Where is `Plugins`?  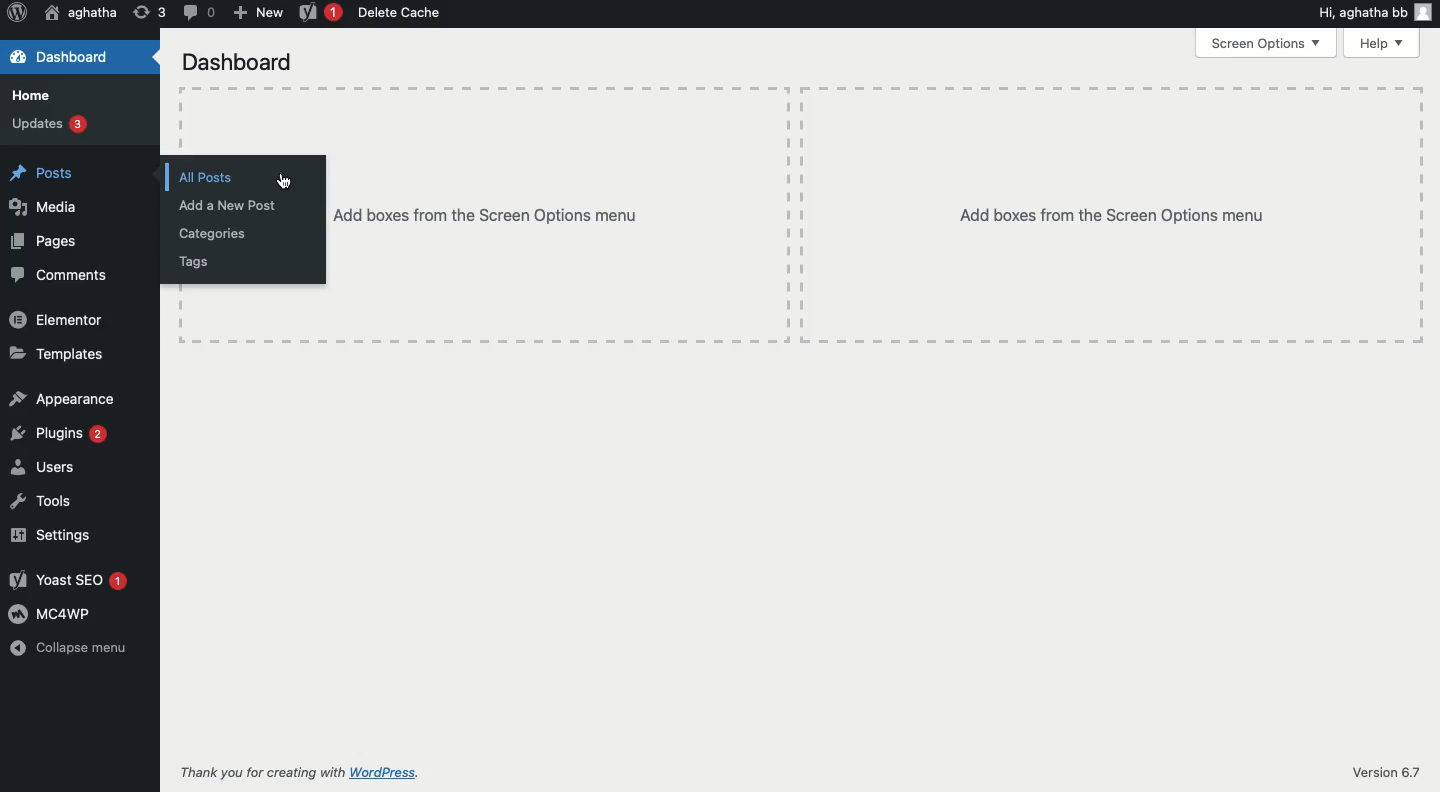
Plugins is located at coordinates (60, 433).